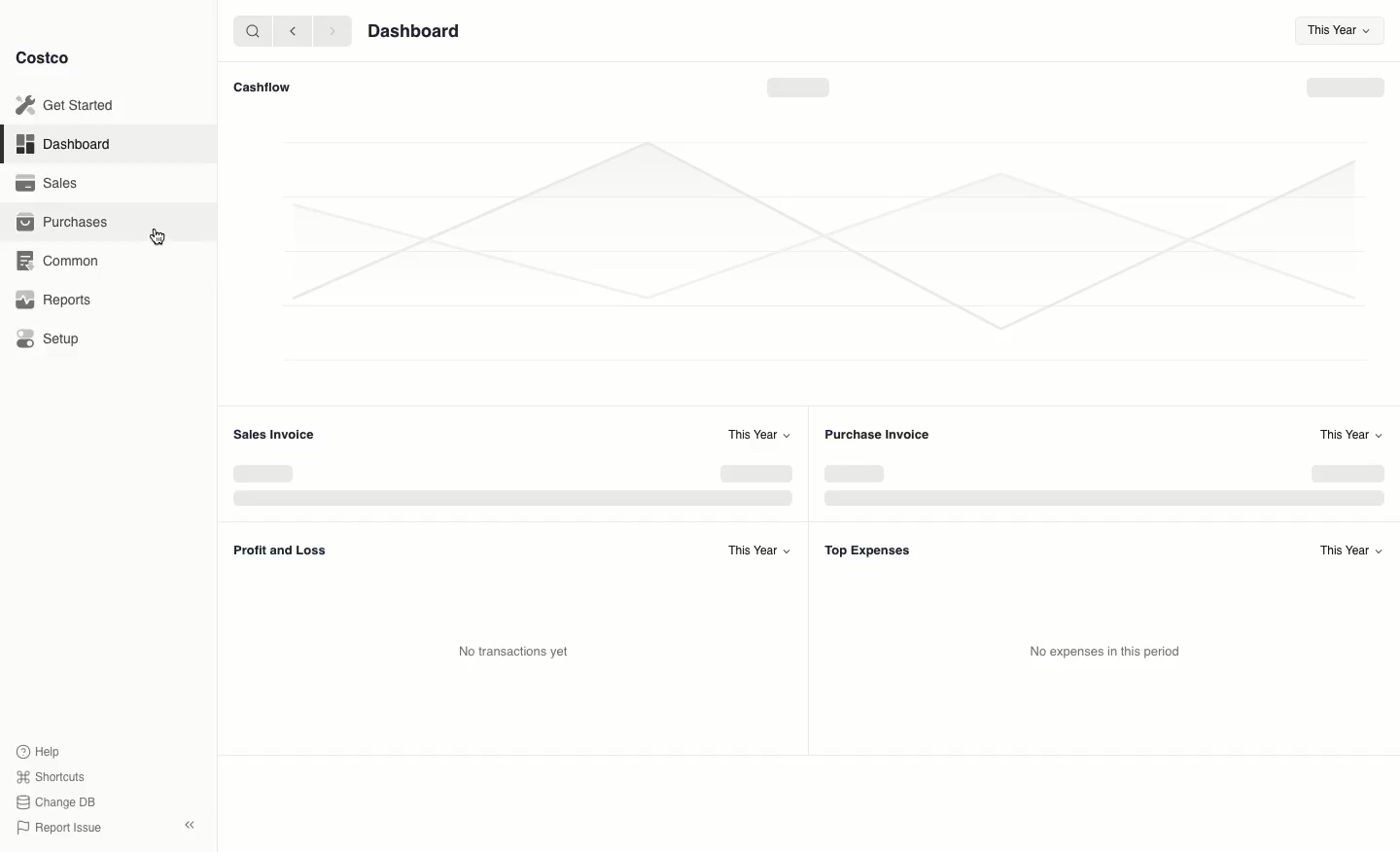  I want to click on cursor, so click(158, 237).